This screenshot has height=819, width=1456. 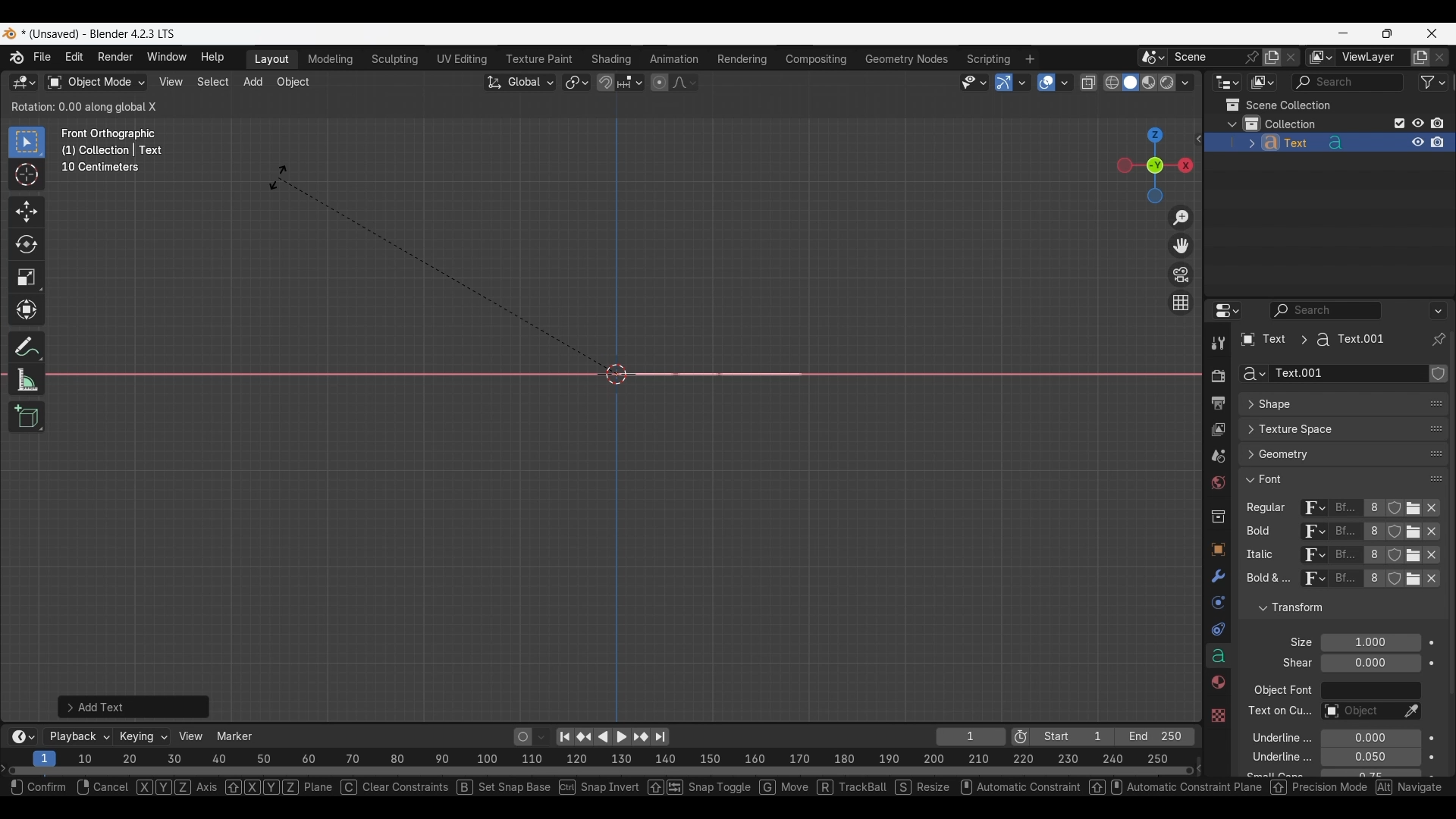 What do you see at coordinates (1410, 712) in the screenshot?
I see `Eyedropper data-block` at bounding box center [1410, 712].